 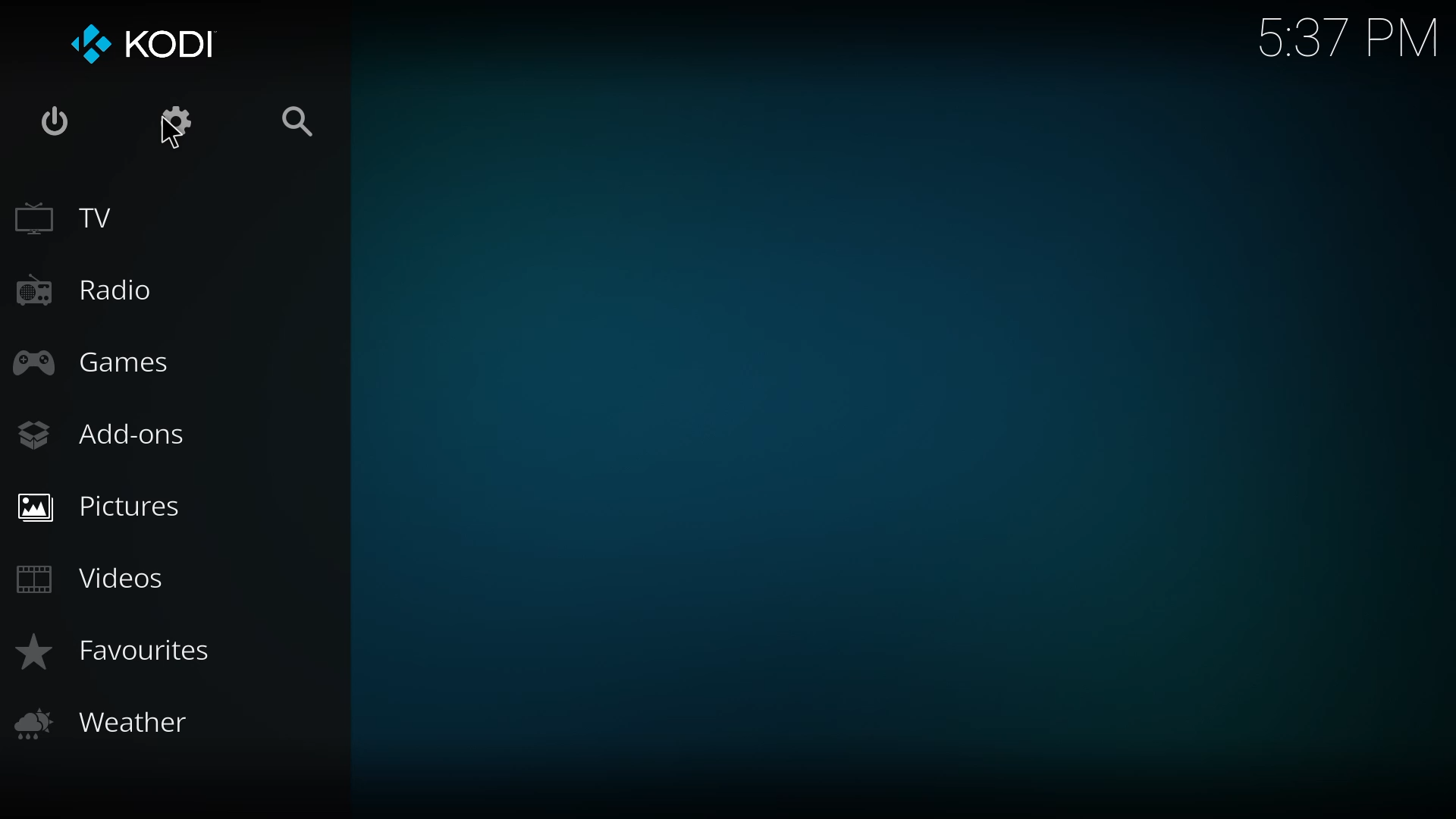 What do you see at coordinates (106, 435) in the screenshot?
I see `add-ons` at bounding box center [106, 435].